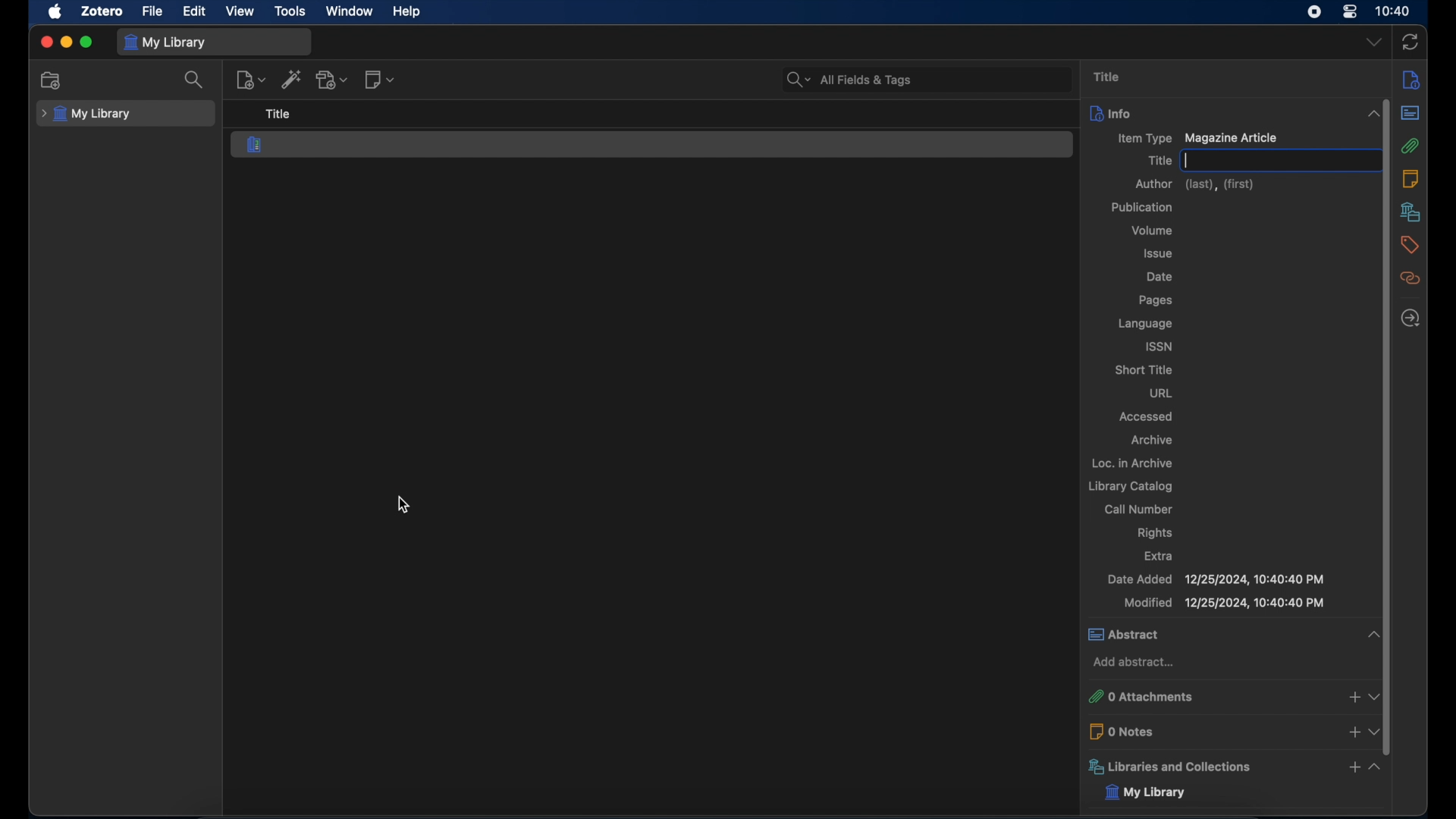 The height and width of the screenshot is (819, 1456). Describe the element at coordinates (1159, 556) in the screenshot. I see `extra` at that location.